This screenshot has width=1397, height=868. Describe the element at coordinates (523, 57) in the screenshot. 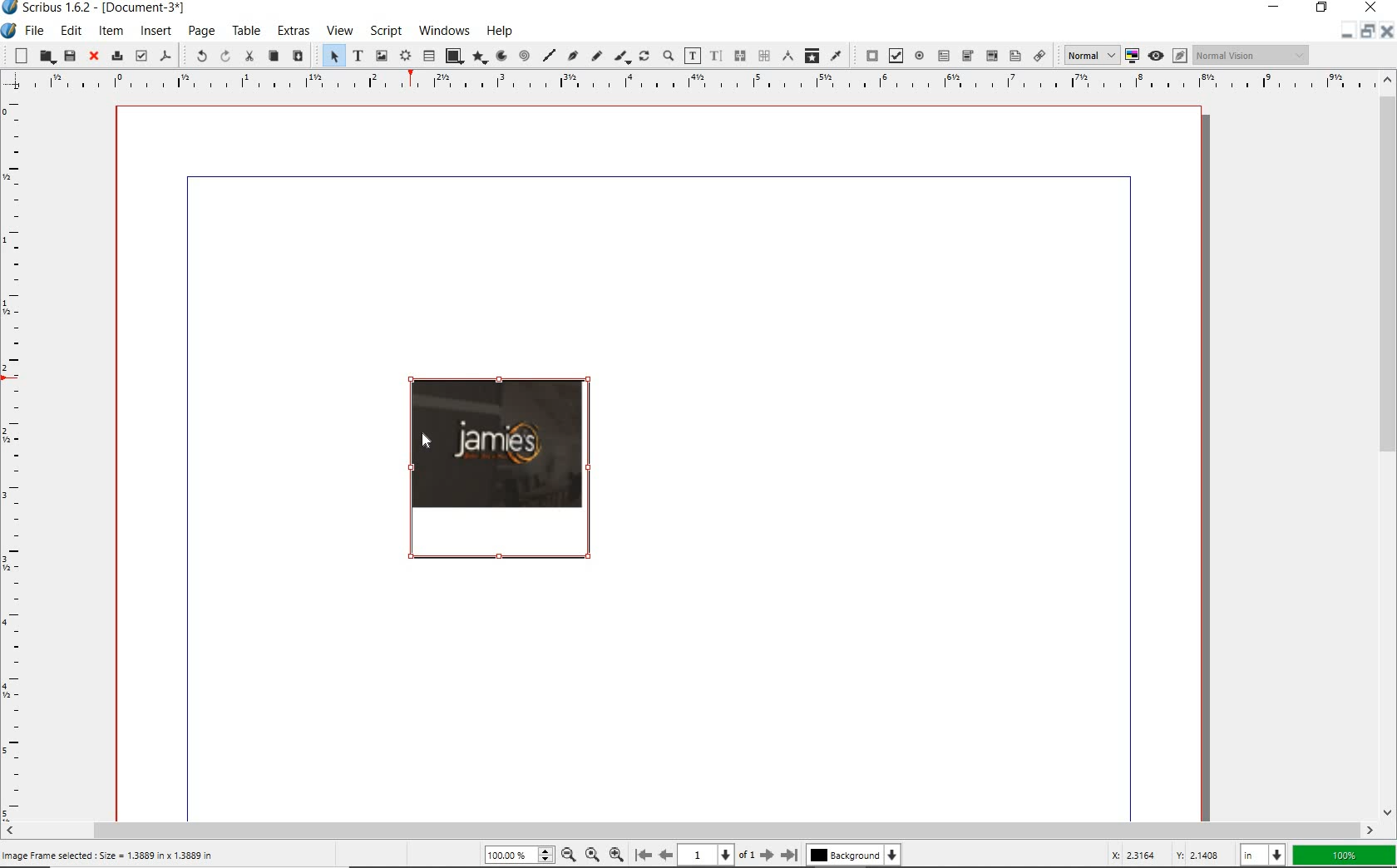

I see `spiral` at that location.